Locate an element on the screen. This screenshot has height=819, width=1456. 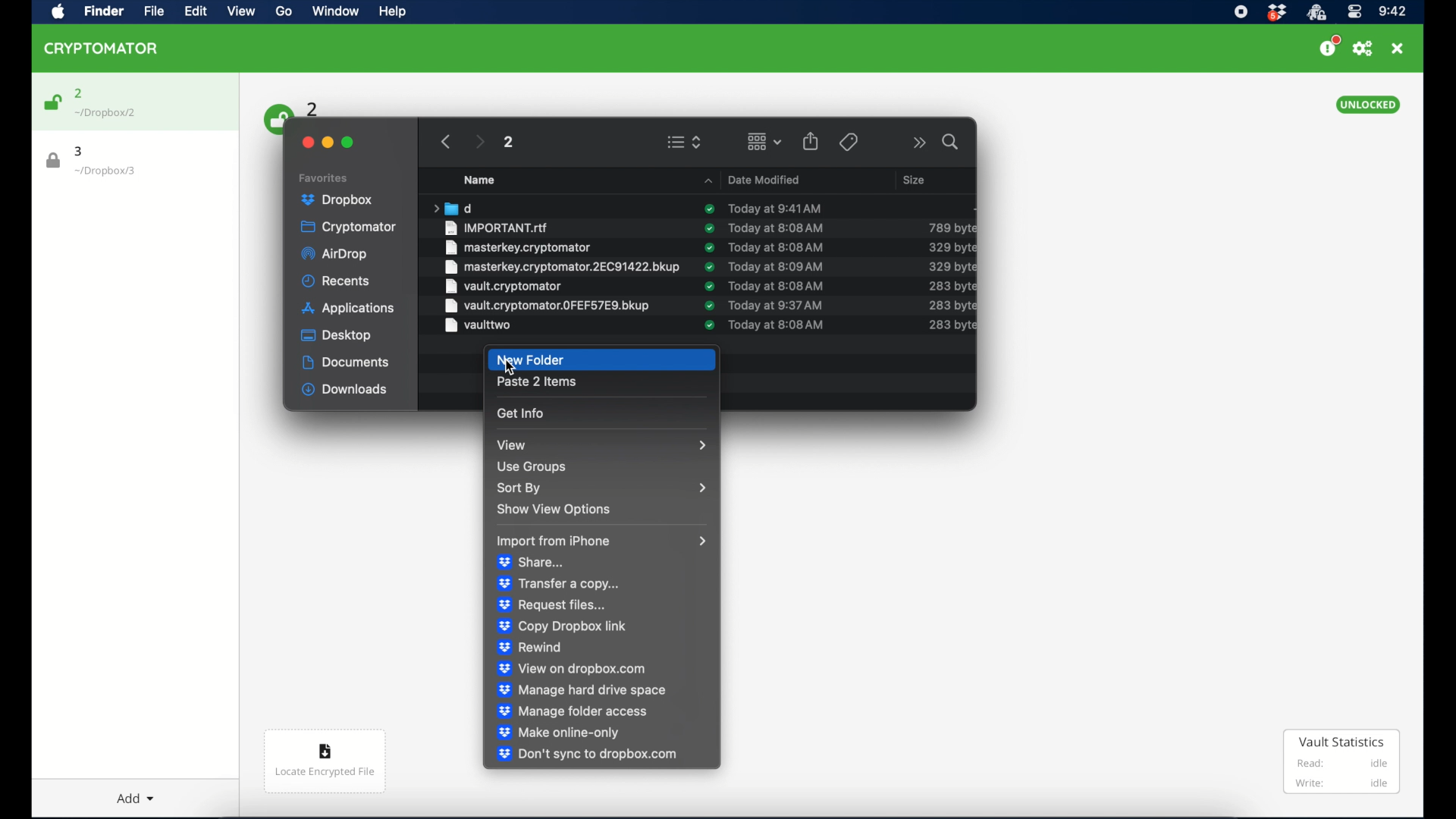
view is located at coordinates (241, 11).